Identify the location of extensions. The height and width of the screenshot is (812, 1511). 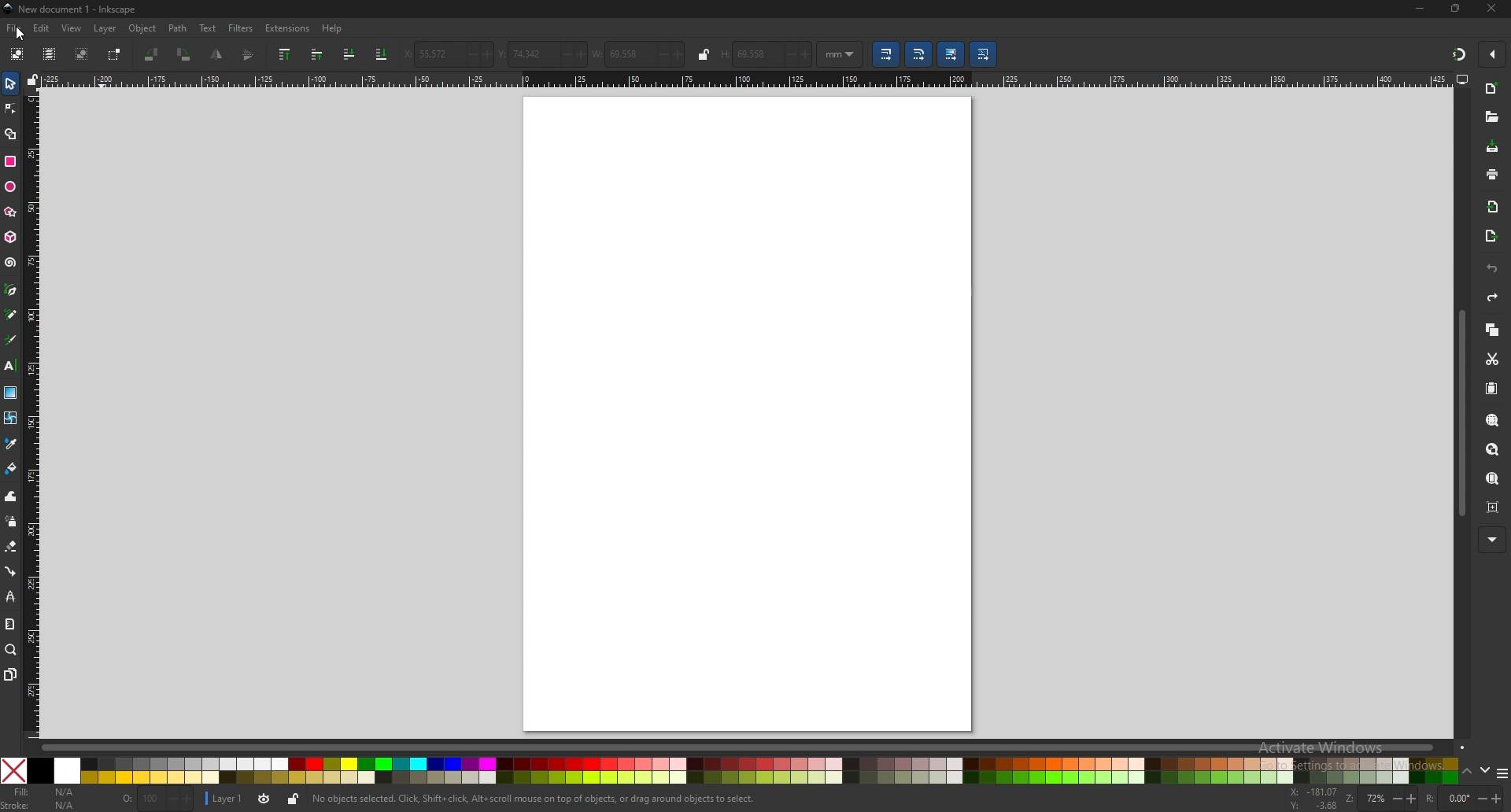
(286, 29).